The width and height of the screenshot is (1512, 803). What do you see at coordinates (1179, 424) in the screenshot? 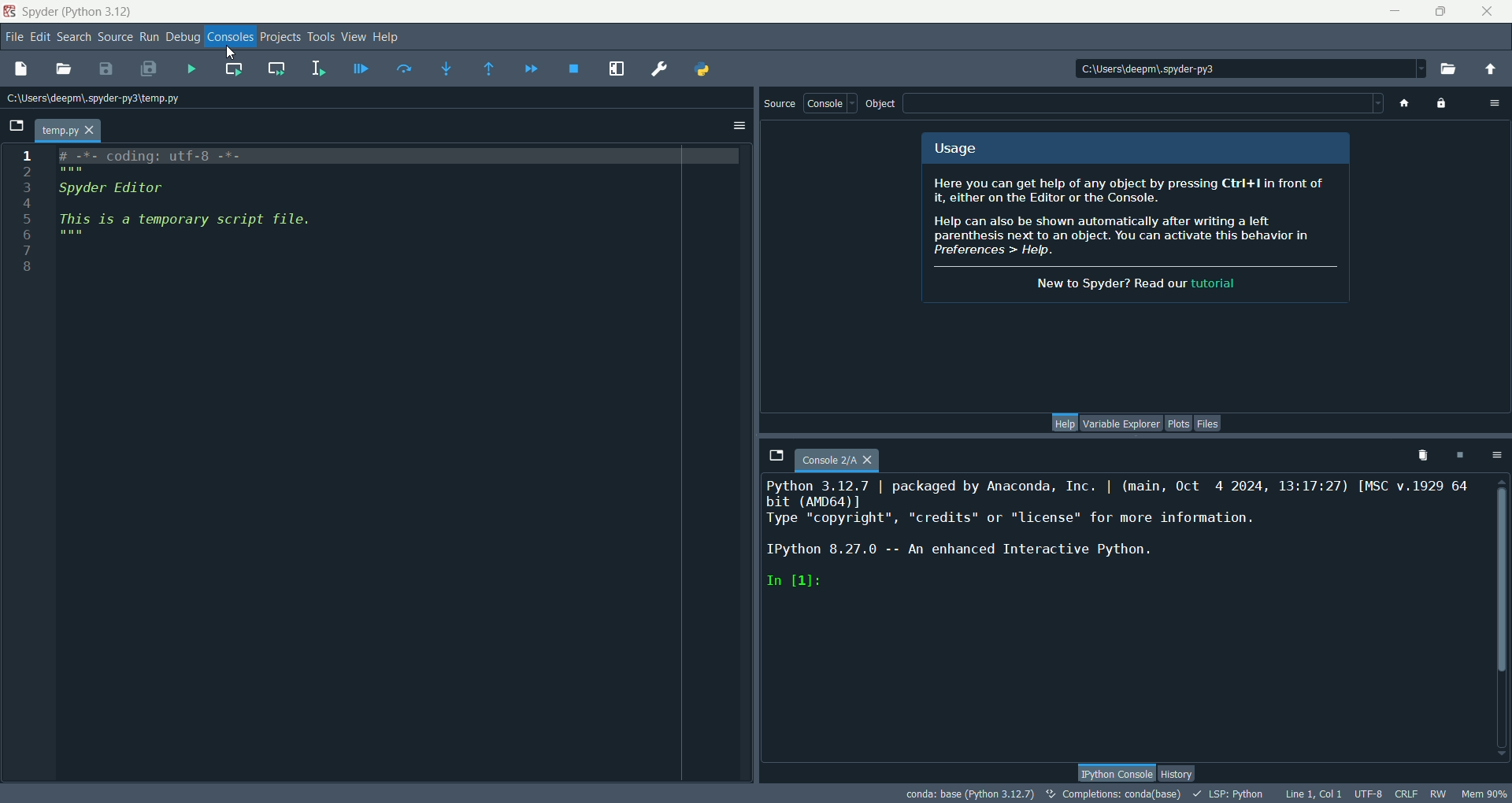
I see `plots` at bounding box center [1179, 424].